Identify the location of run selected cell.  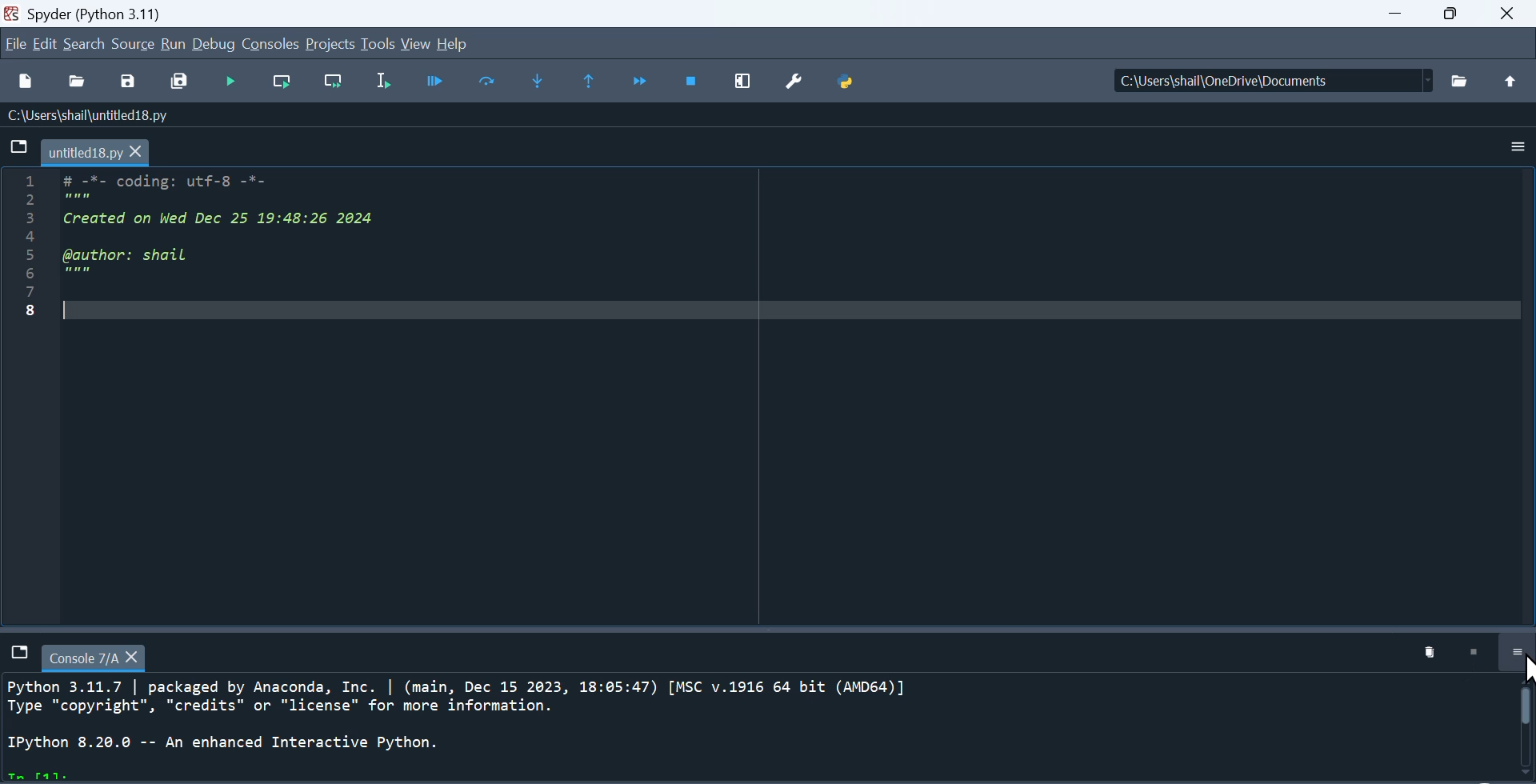
(381, 82).